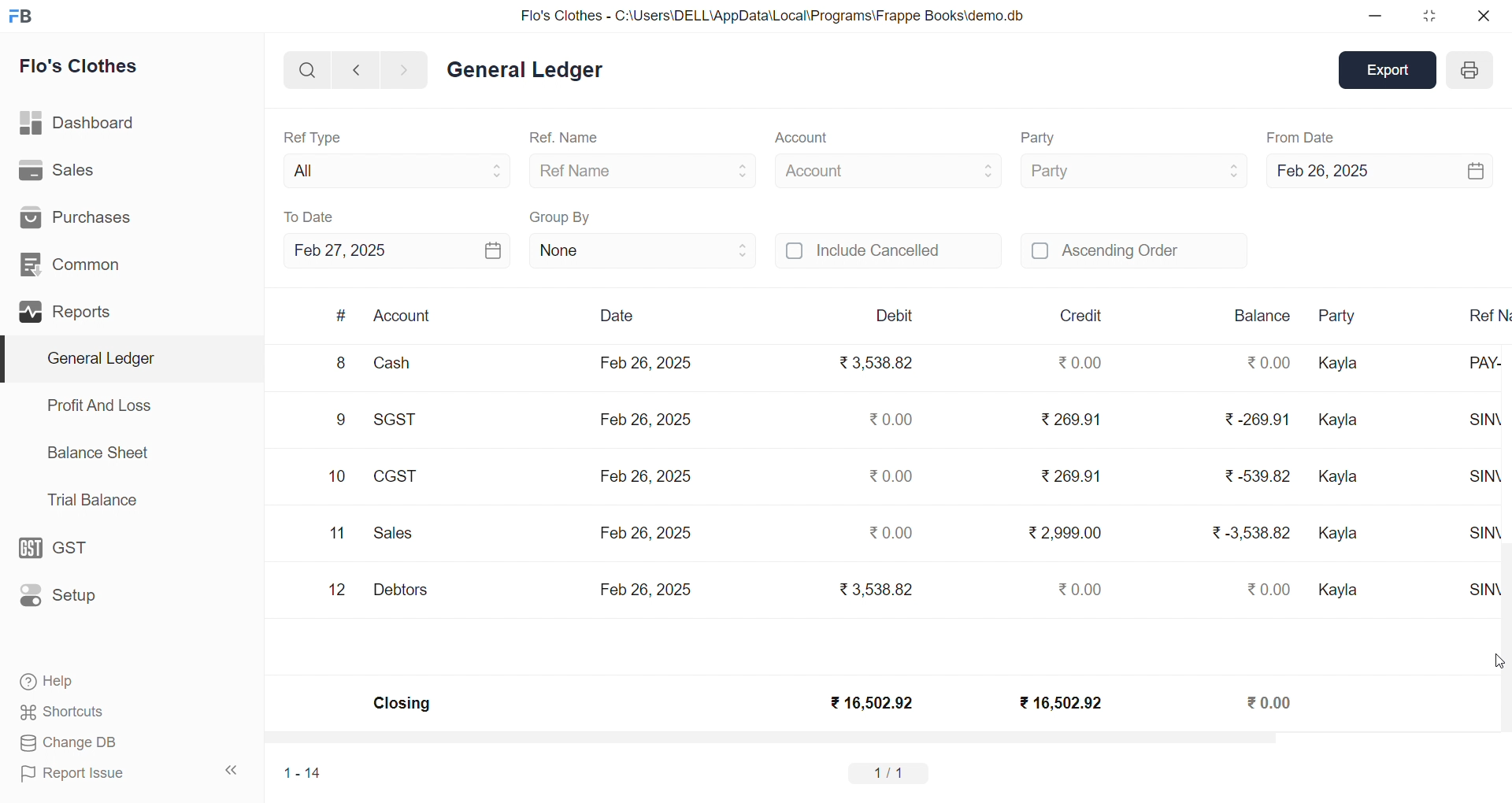  Describe the element at coordinates (870, 703) in the screenshot. I see `₹ 16,502.92` at that location.